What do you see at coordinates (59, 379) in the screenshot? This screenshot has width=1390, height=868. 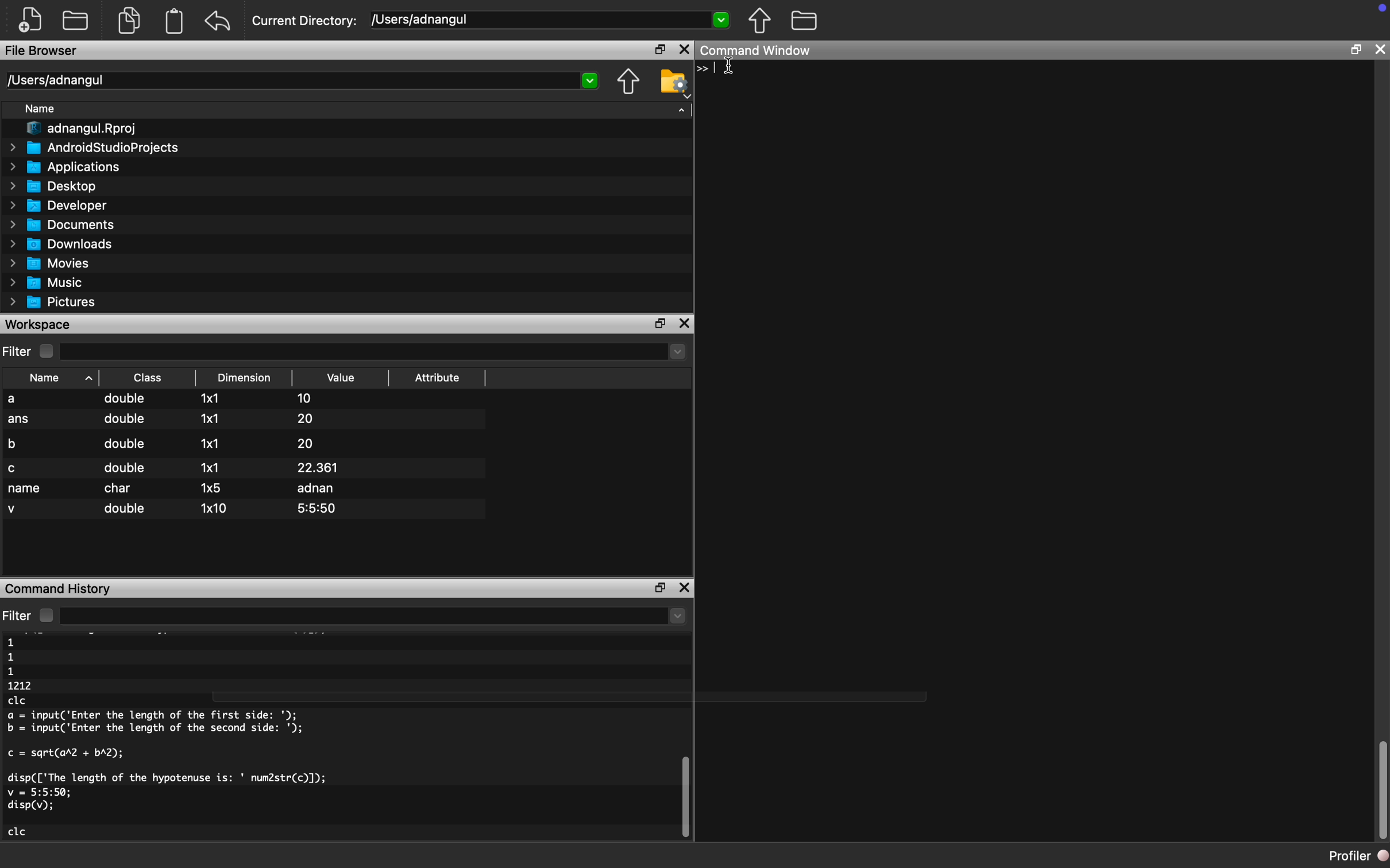 I see `Name` at bounding box center [59, 379].